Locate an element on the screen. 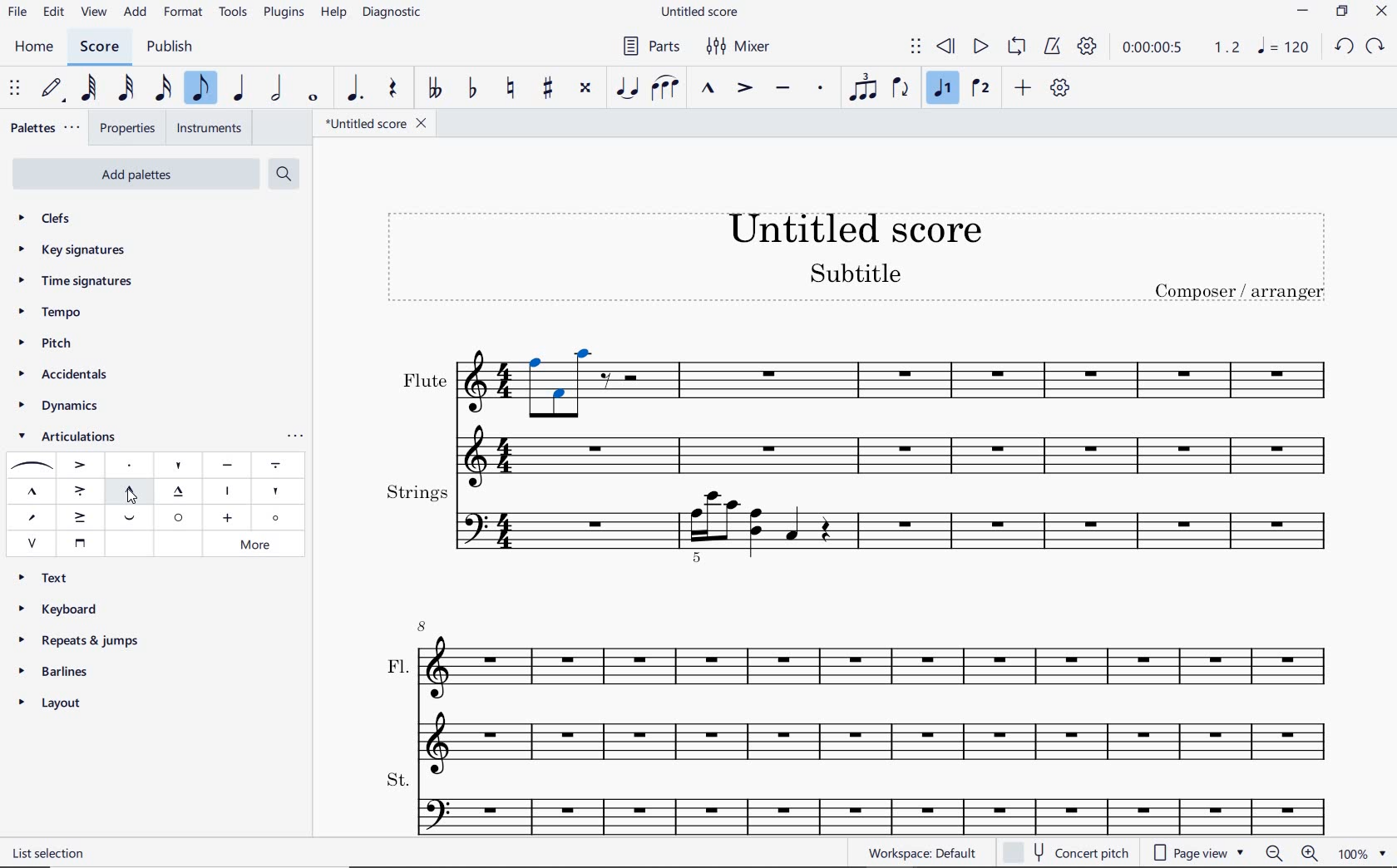 This screenshot has height=868, width=1397. tempo is located at coordinates (51, 312).